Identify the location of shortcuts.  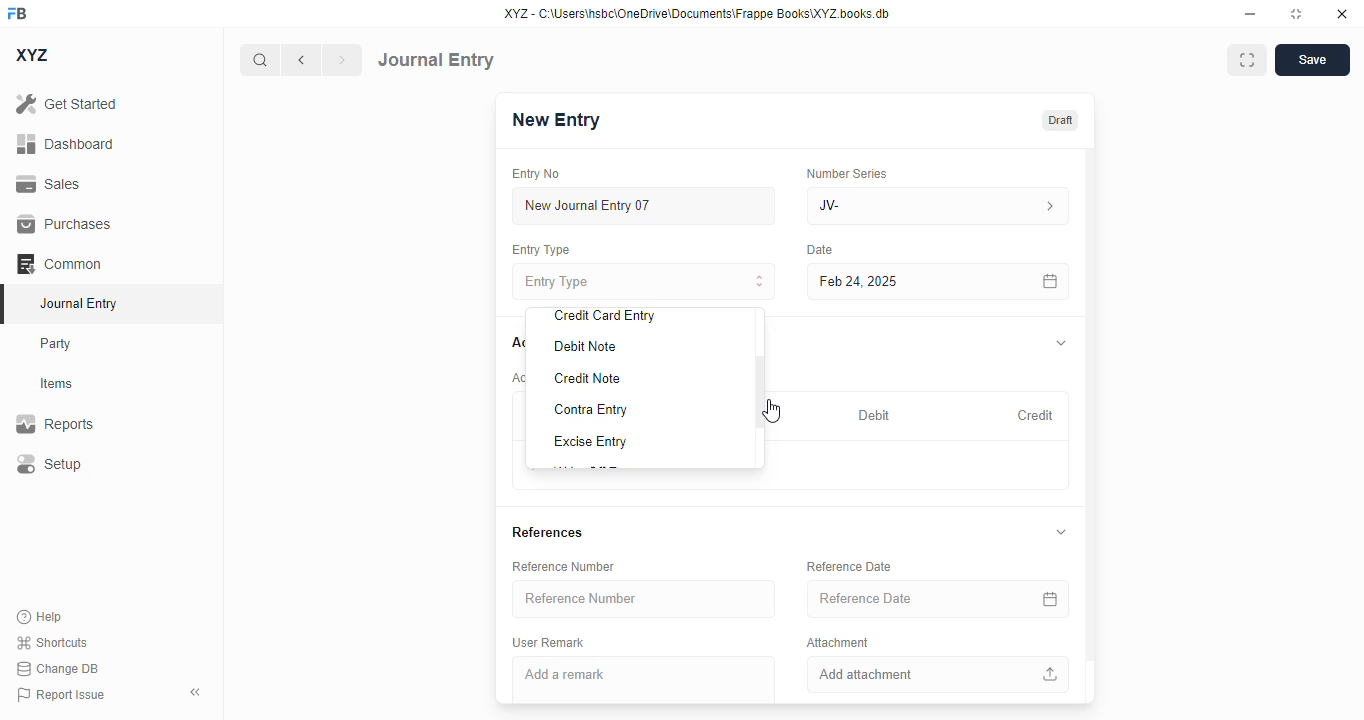
(52, 642).